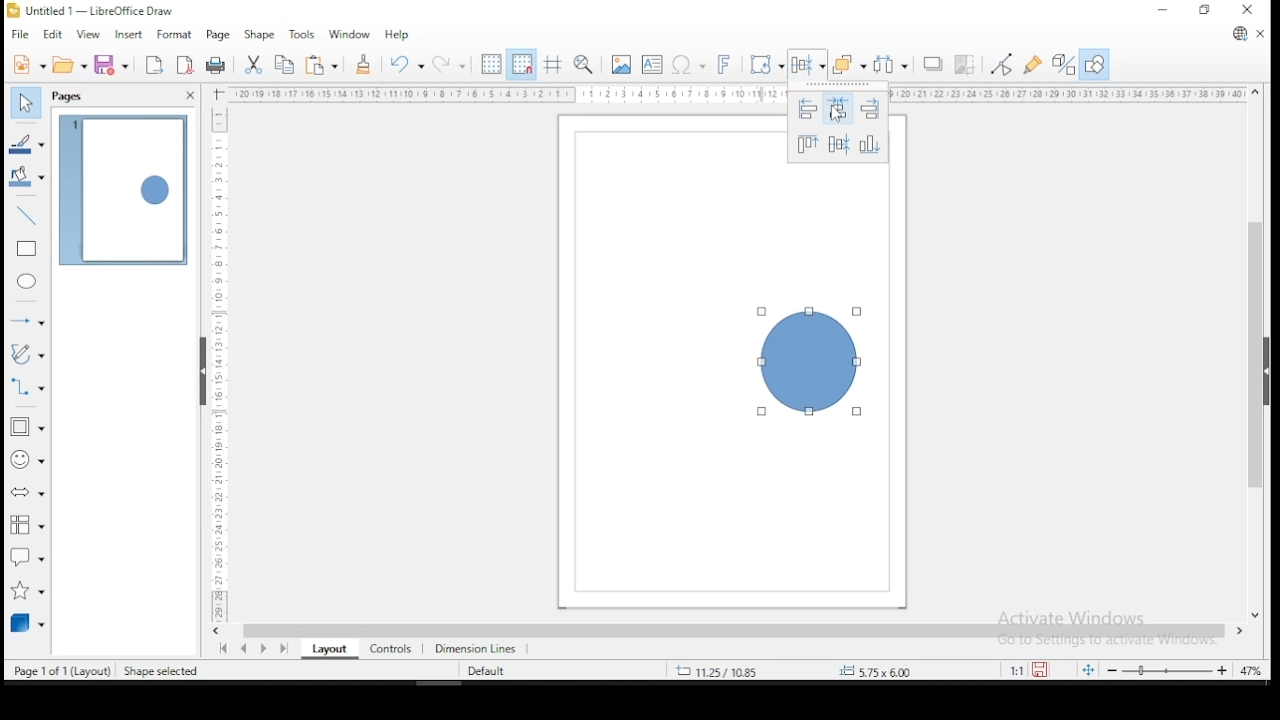 The width and height of the screenshot is (1280, 720). Describe the element at coordinates (476, 647) in the screenshot. I see `dimension lines` at that location.